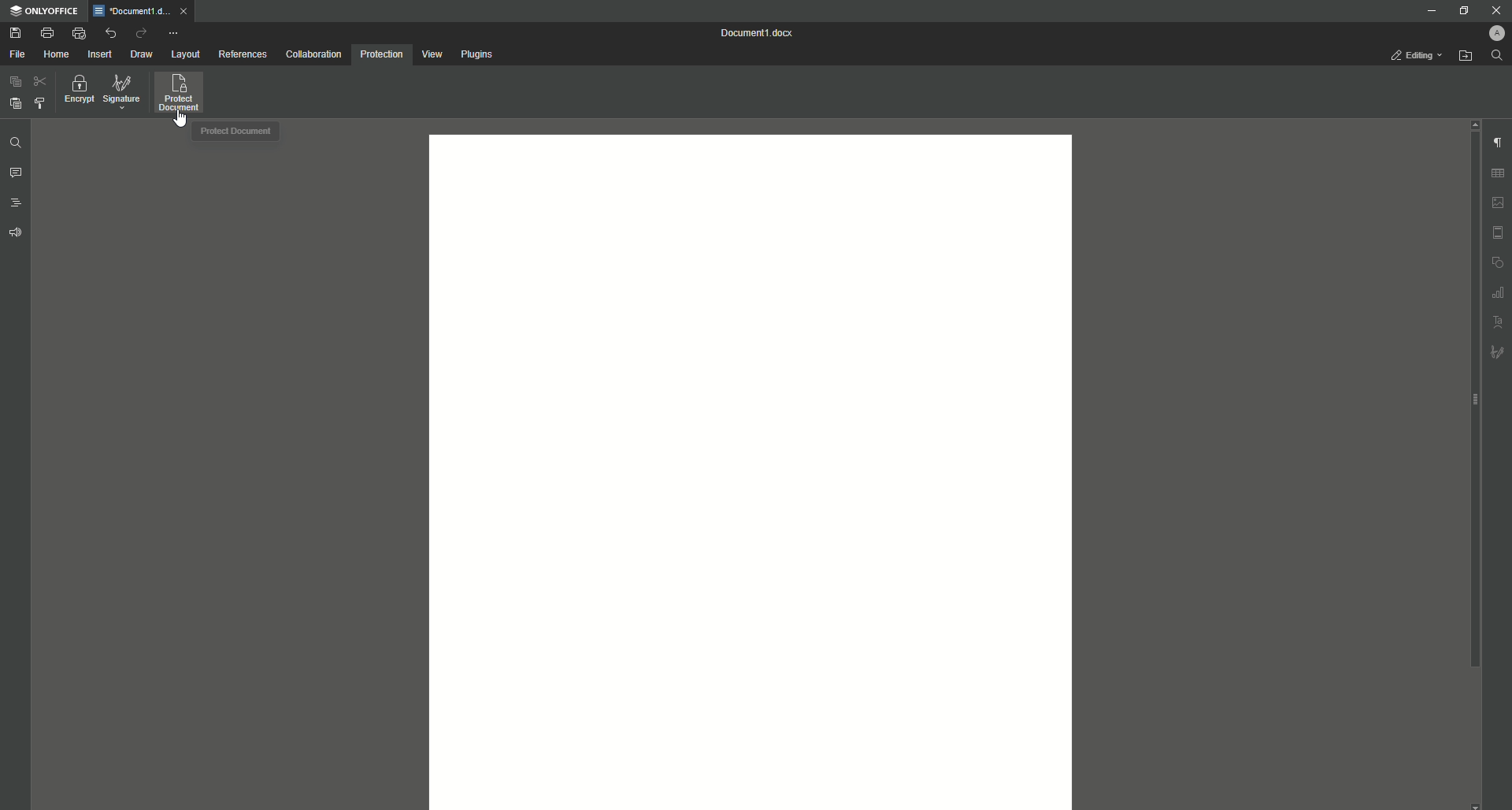 This screenshot has height=810, width=1512. I want to click on Editing, so click(1416, 56).